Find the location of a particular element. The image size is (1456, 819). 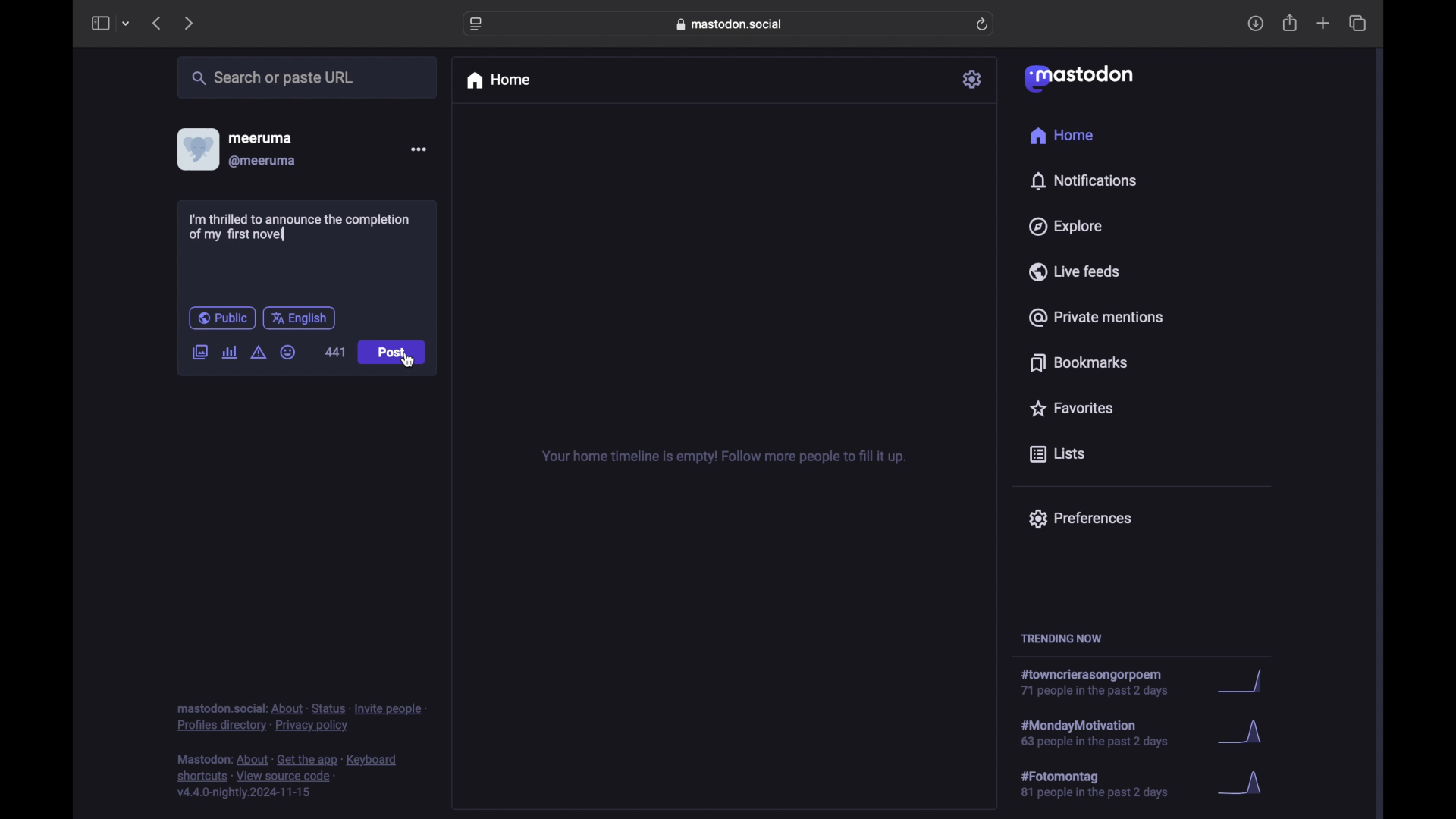

home is located at coordinates (1063, 135).